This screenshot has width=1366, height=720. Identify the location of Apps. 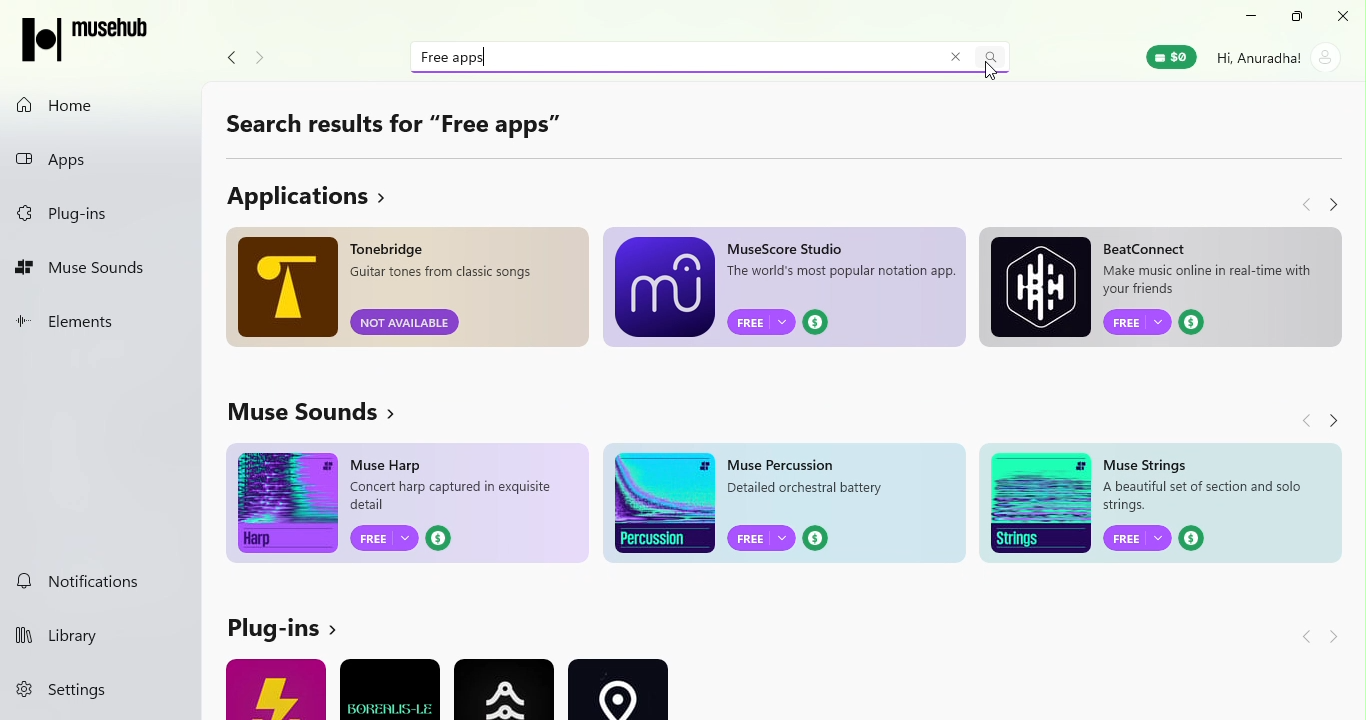
(98, 160).